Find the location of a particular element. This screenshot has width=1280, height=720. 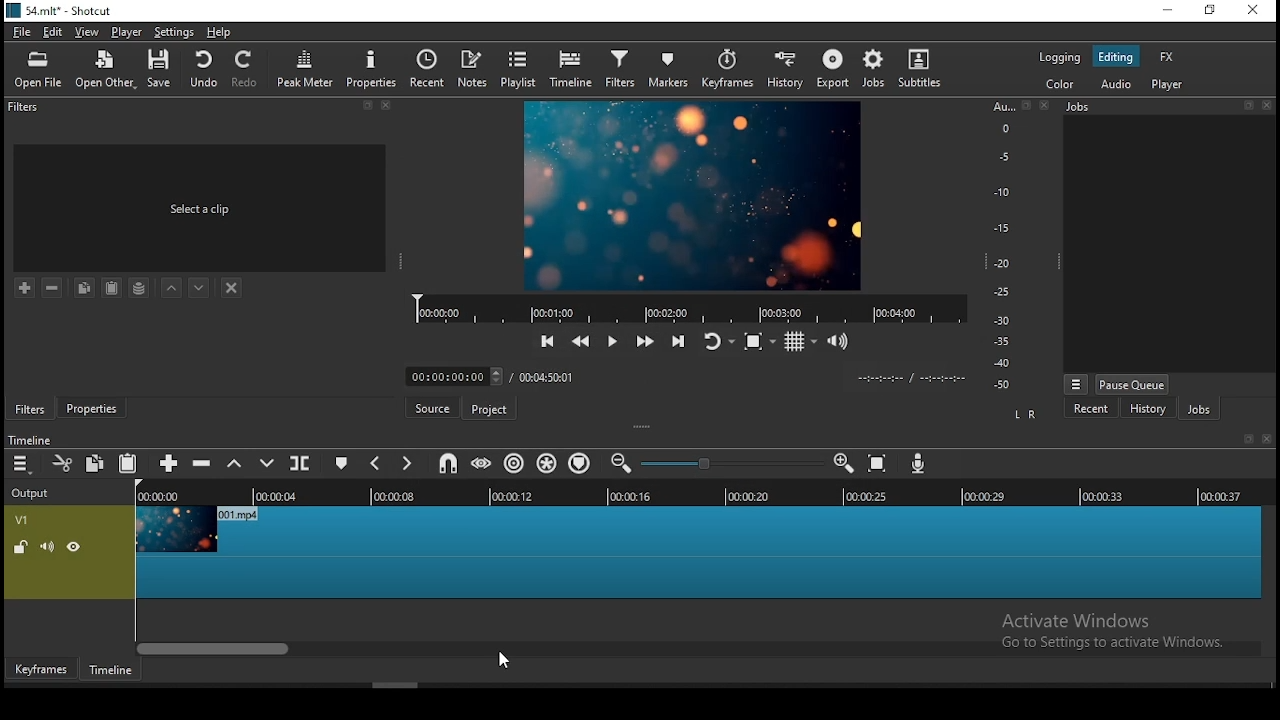

00:00:25 is located at coordinates (863, 497).